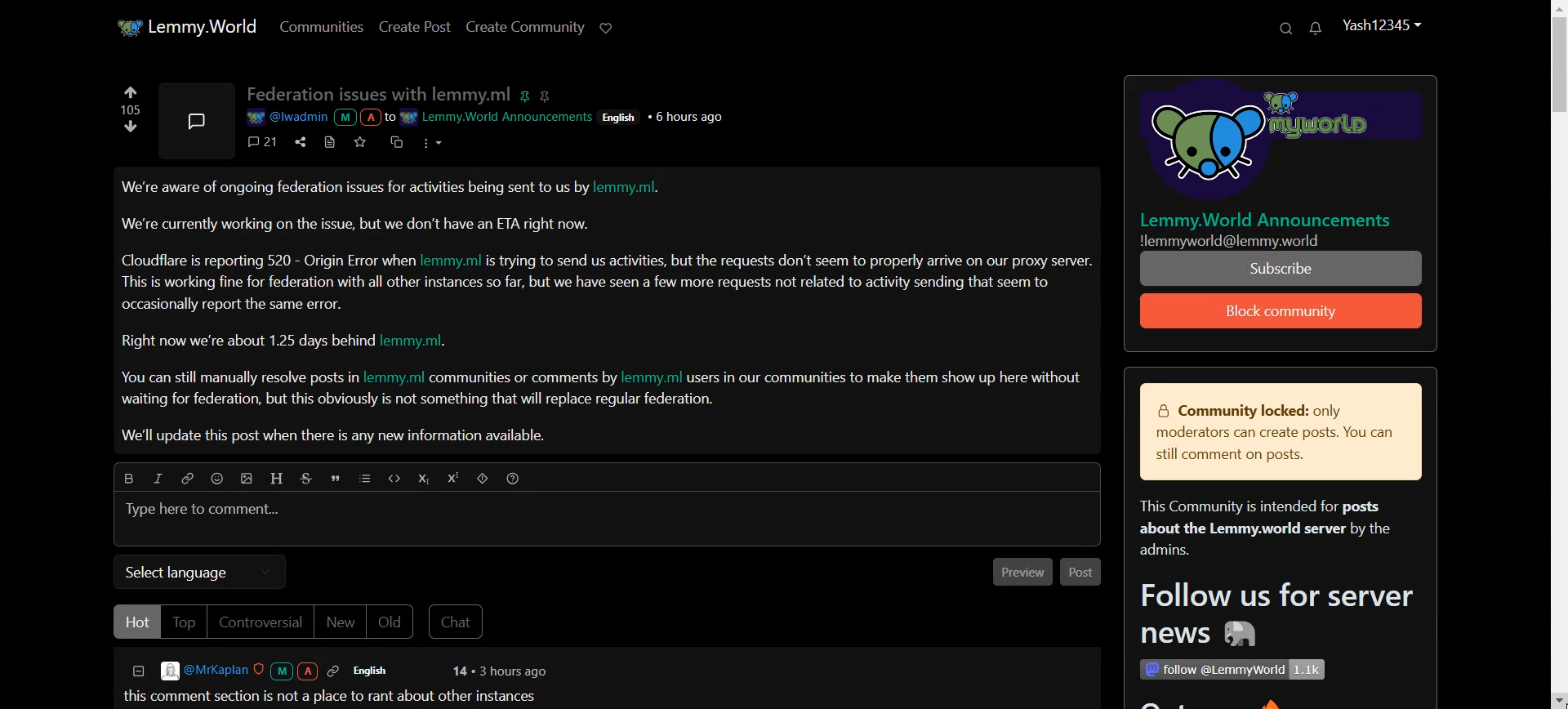  I want to click on Bold, so click(128, 479).